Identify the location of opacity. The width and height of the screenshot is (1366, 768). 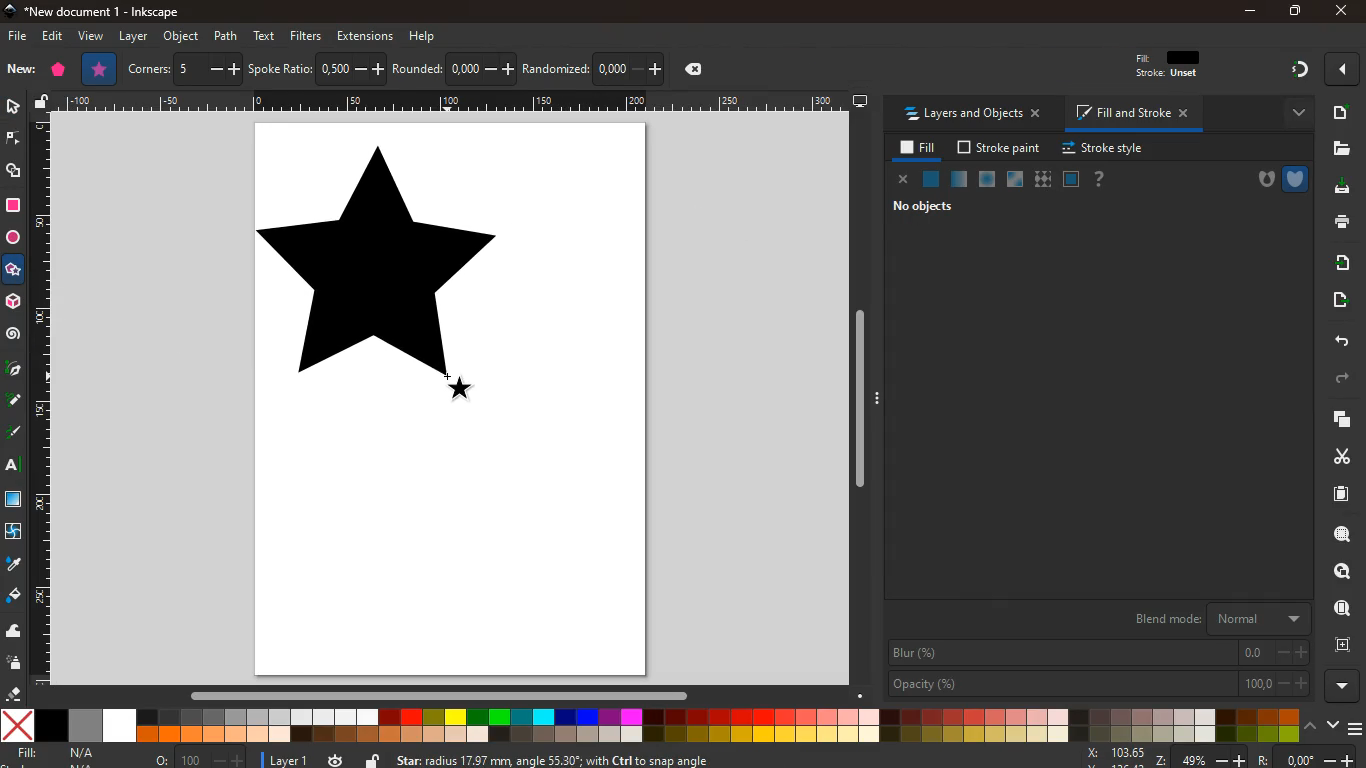
(1098, 685).